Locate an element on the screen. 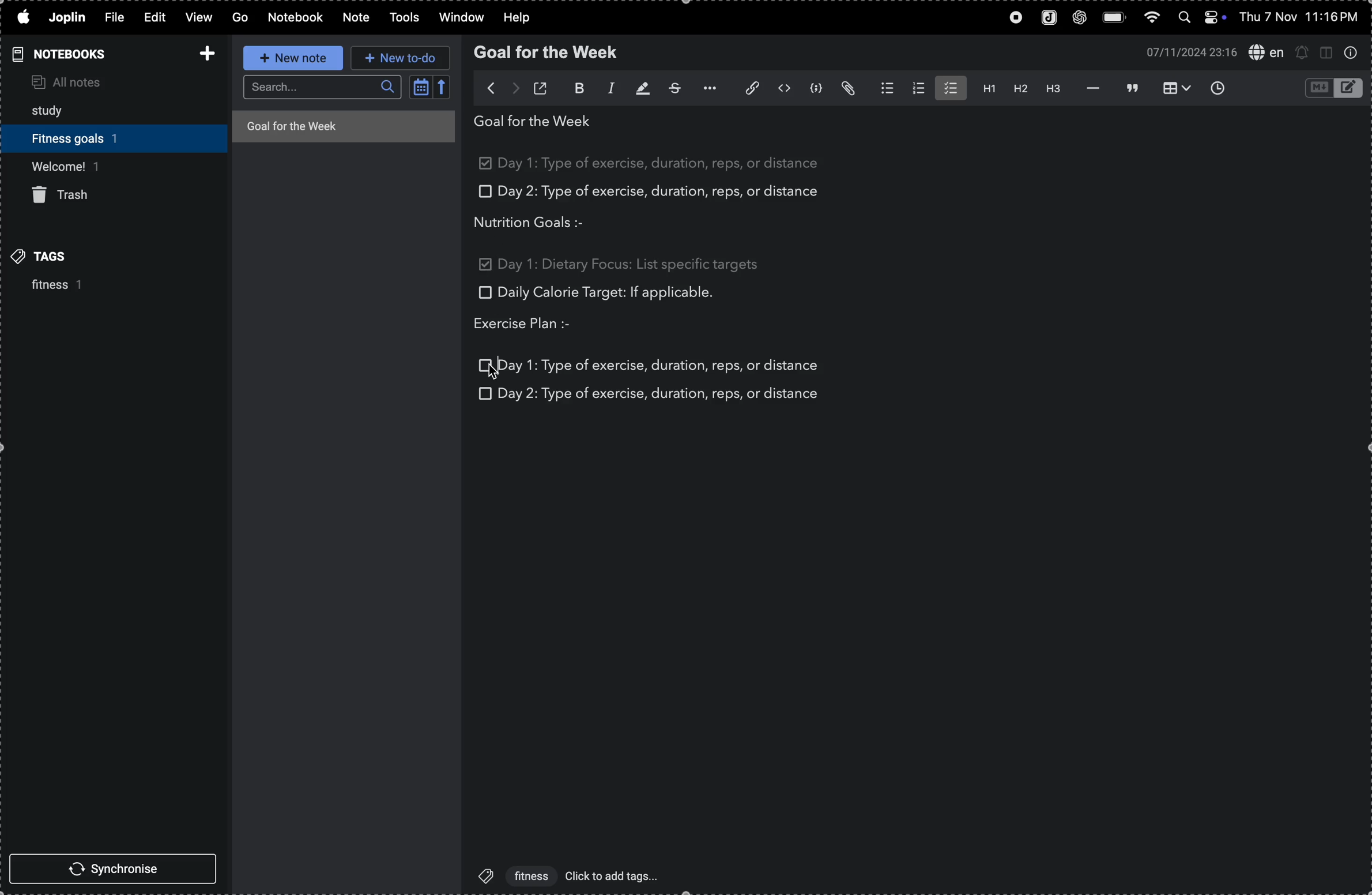 The width and height of the screenshot is (1372, 895). thu 7 nov 11:16 pm is located at coordinates (1304, 17).